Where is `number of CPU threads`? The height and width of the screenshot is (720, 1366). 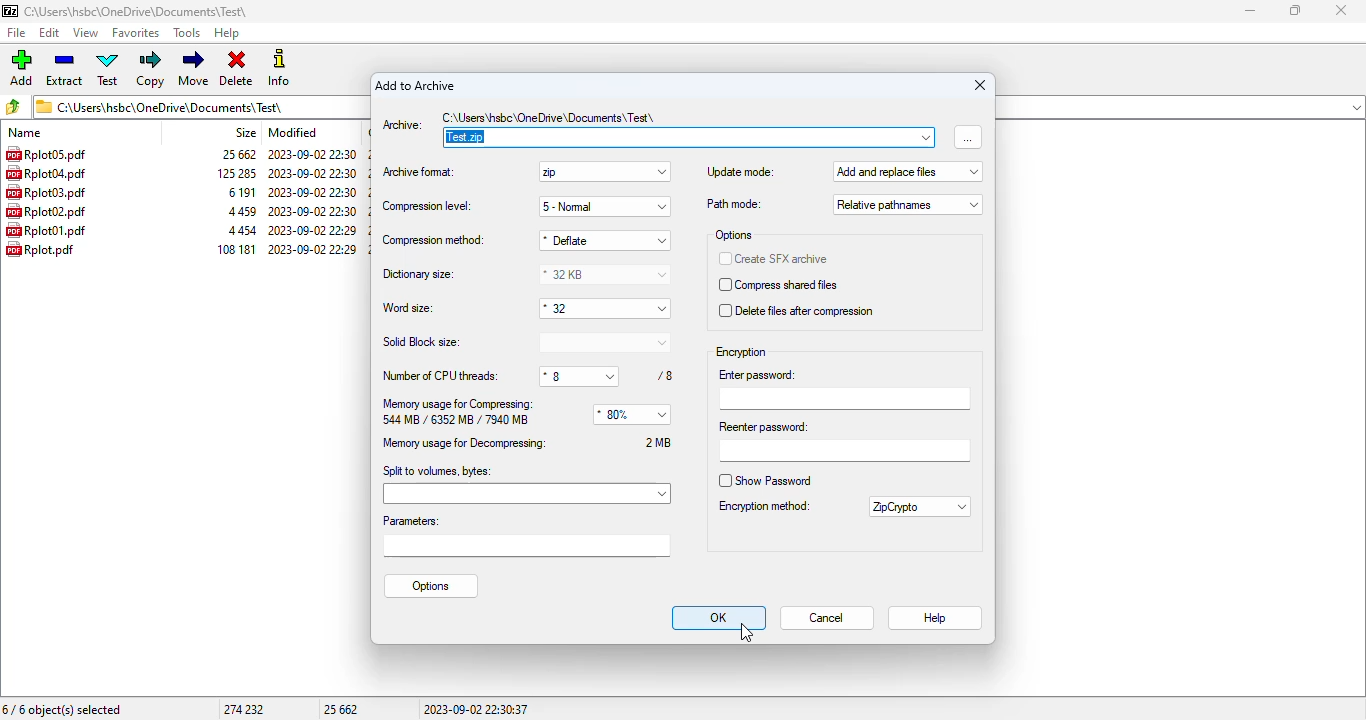
number of CPU threads is located at coordinates (441, 374).